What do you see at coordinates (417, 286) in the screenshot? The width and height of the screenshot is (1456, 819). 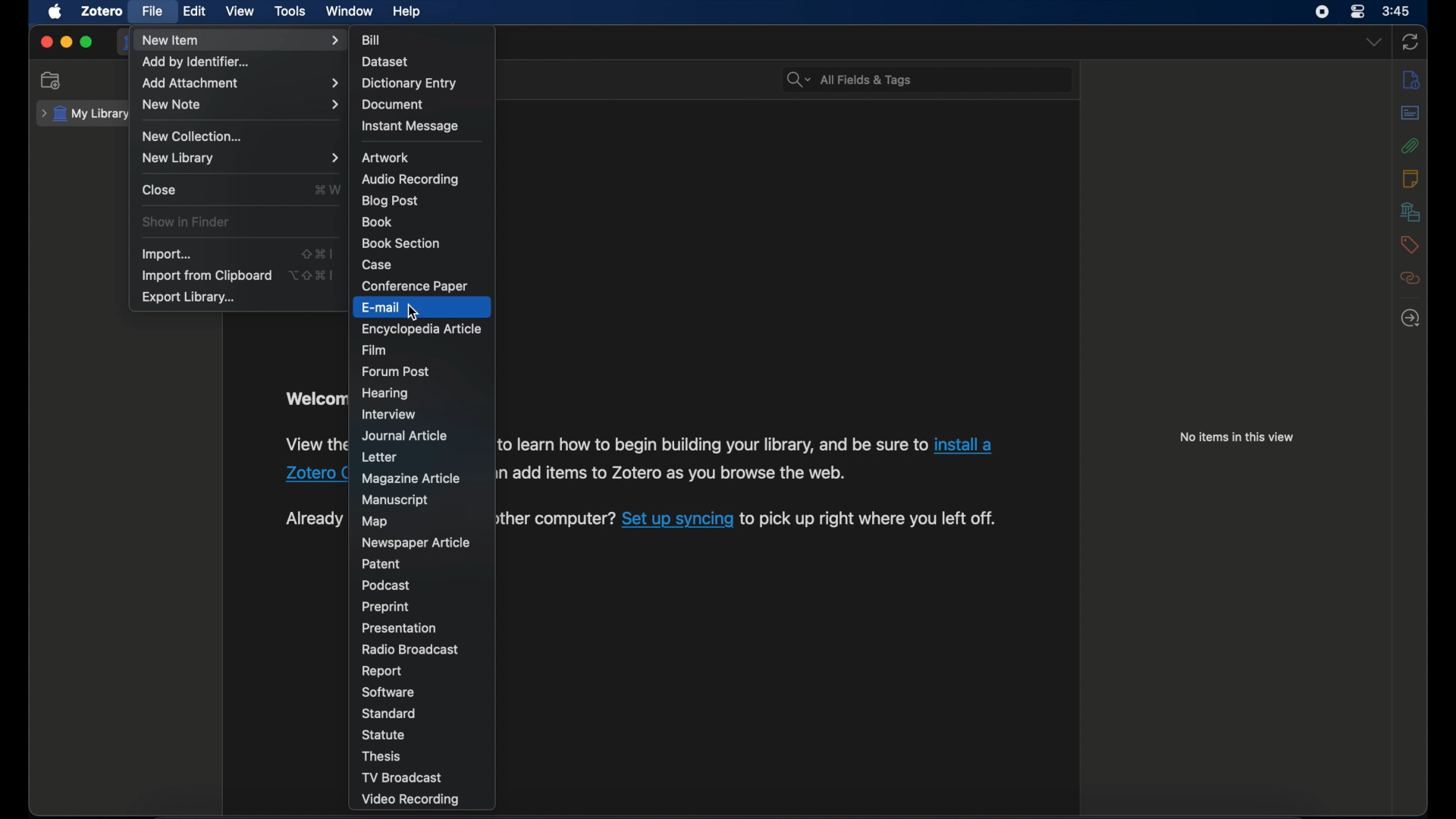 I see `conference paper` at bounding box center [417, 286].